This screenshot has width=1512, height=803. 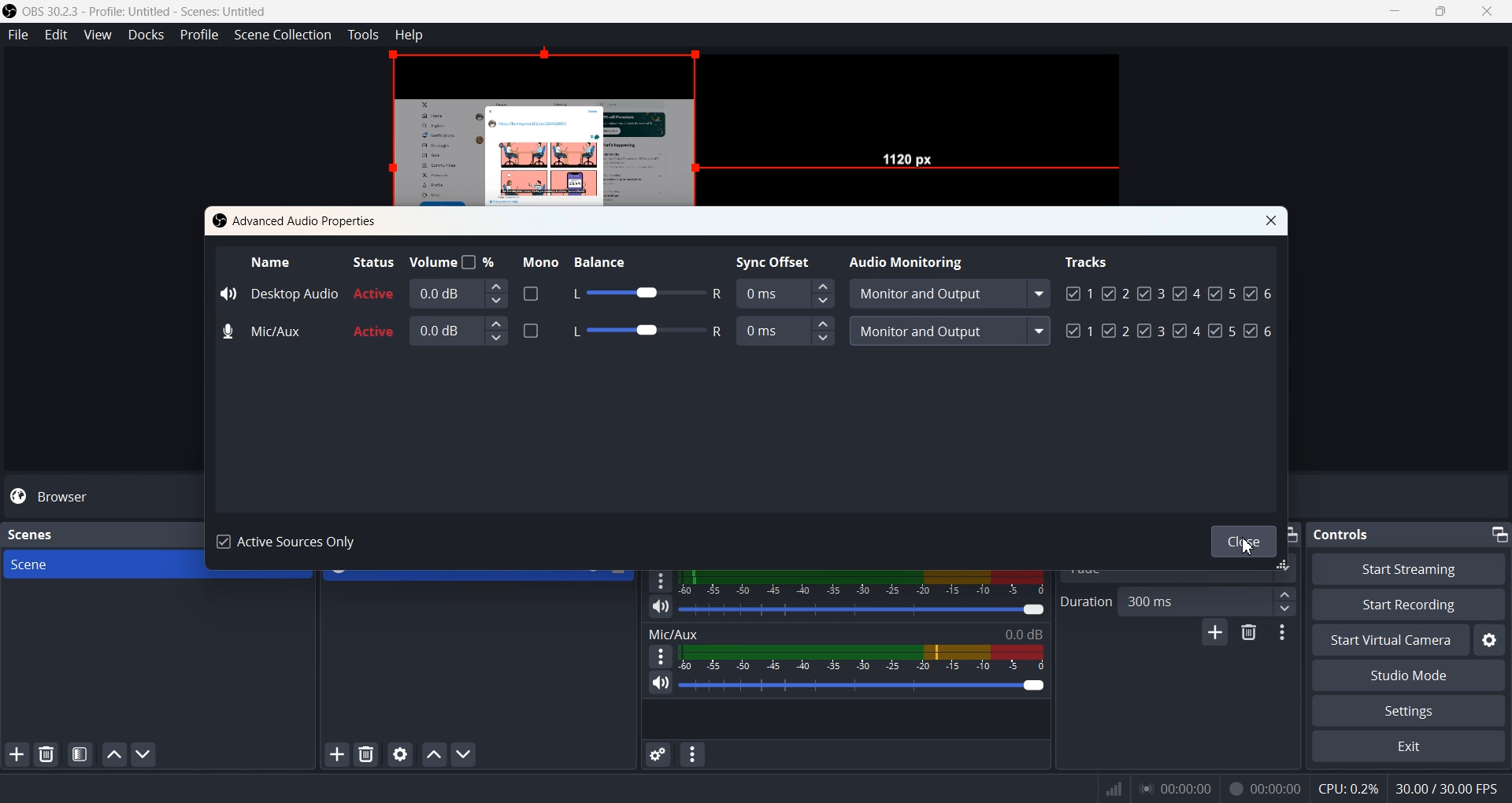 What do you see at coordinates (278, 292) in the screenshot?
I see `Desktop Audio ` at bounding box center [278, 292].